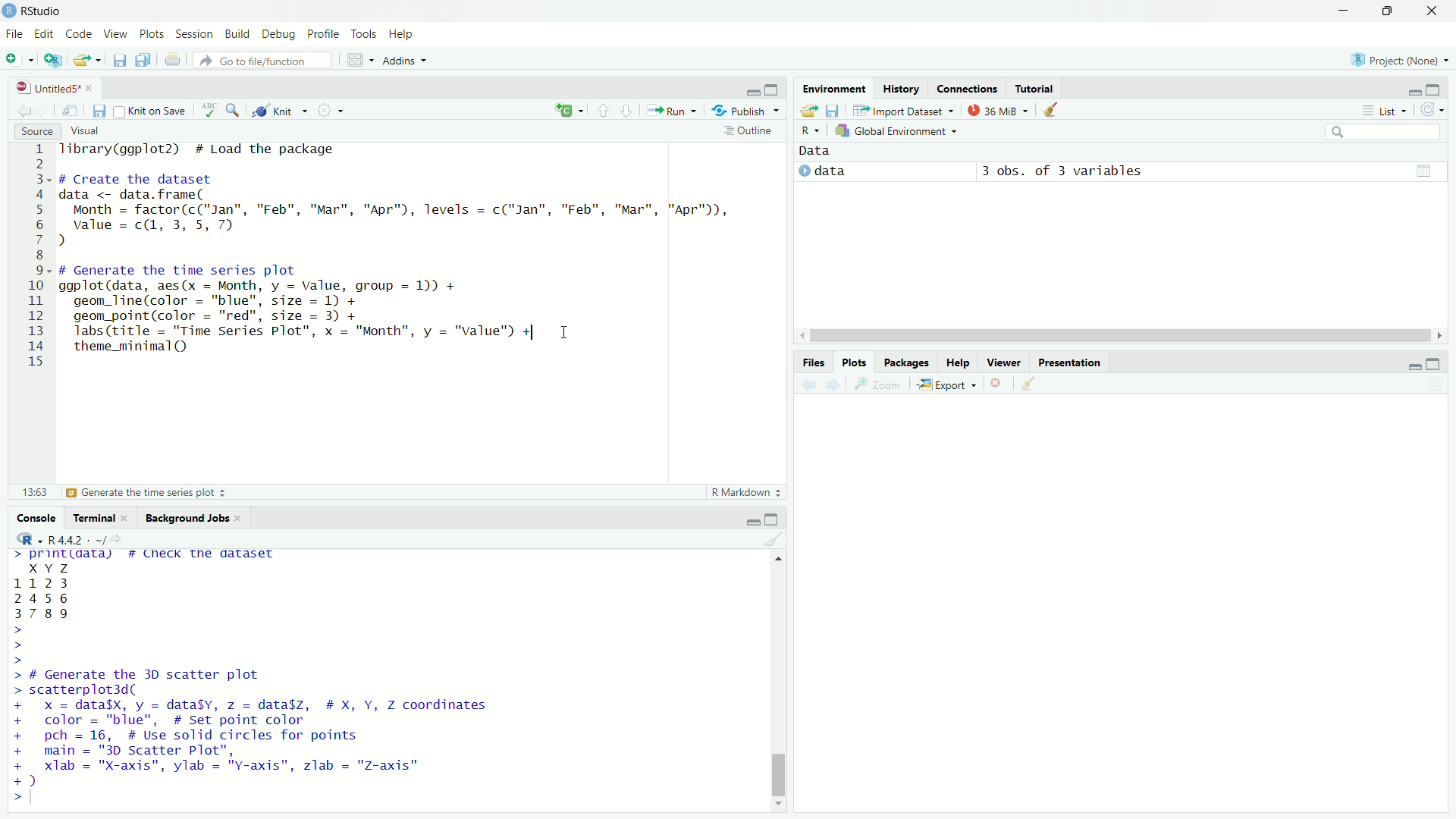 Image resolution: width=1456 pixels, height=819 pixels. What do you see at coordinates (171, 59) in the screenshot?
I see `print the current file` at bounding box center [171, 59].